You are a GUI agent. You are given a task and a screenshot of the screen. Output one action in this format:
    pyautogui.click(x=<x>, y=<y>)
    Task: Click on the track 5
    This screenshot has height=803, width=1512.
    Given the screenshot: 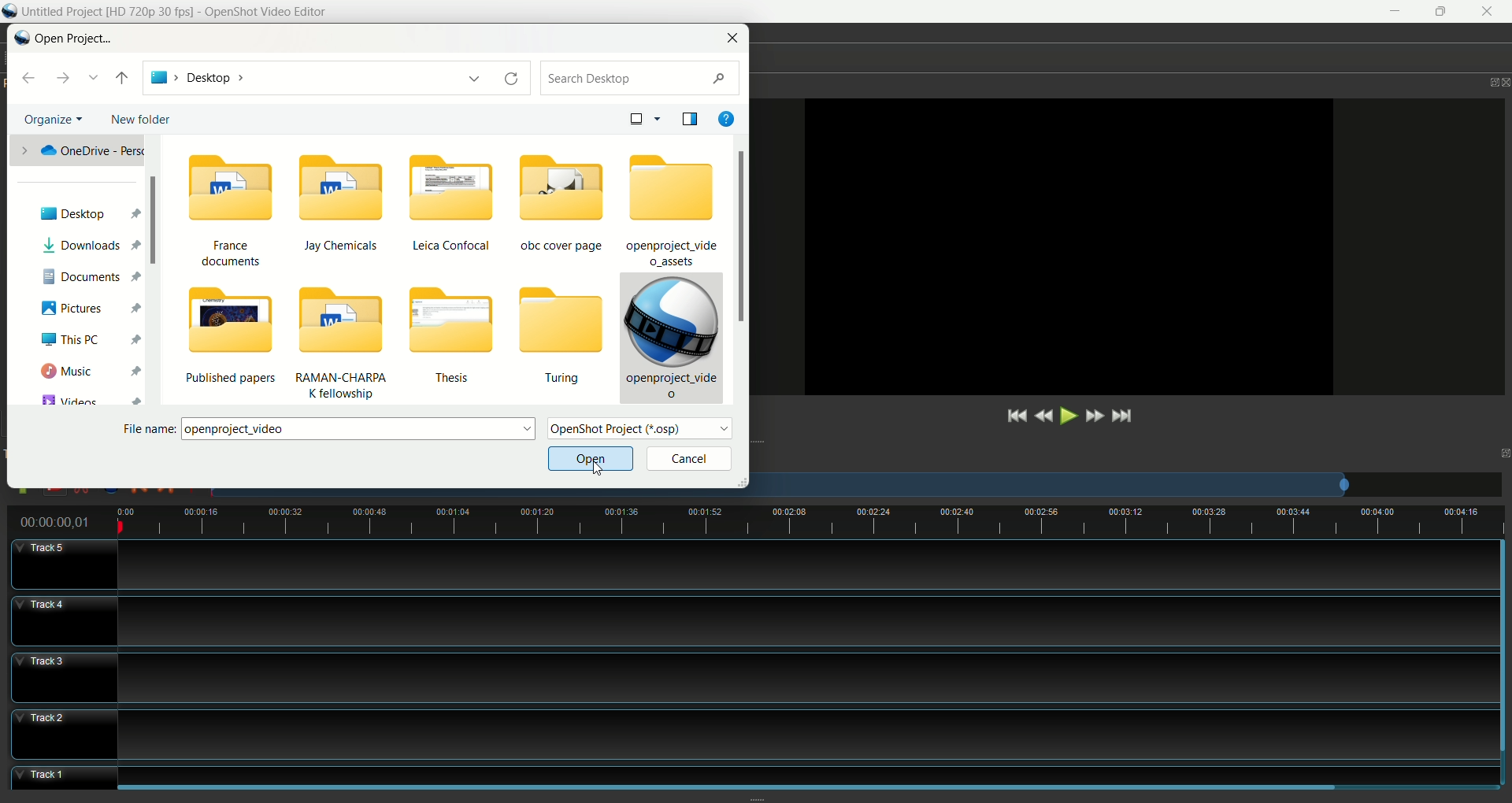 What is the action you would take?
    pyautogui.click(x=744, y=566)
    